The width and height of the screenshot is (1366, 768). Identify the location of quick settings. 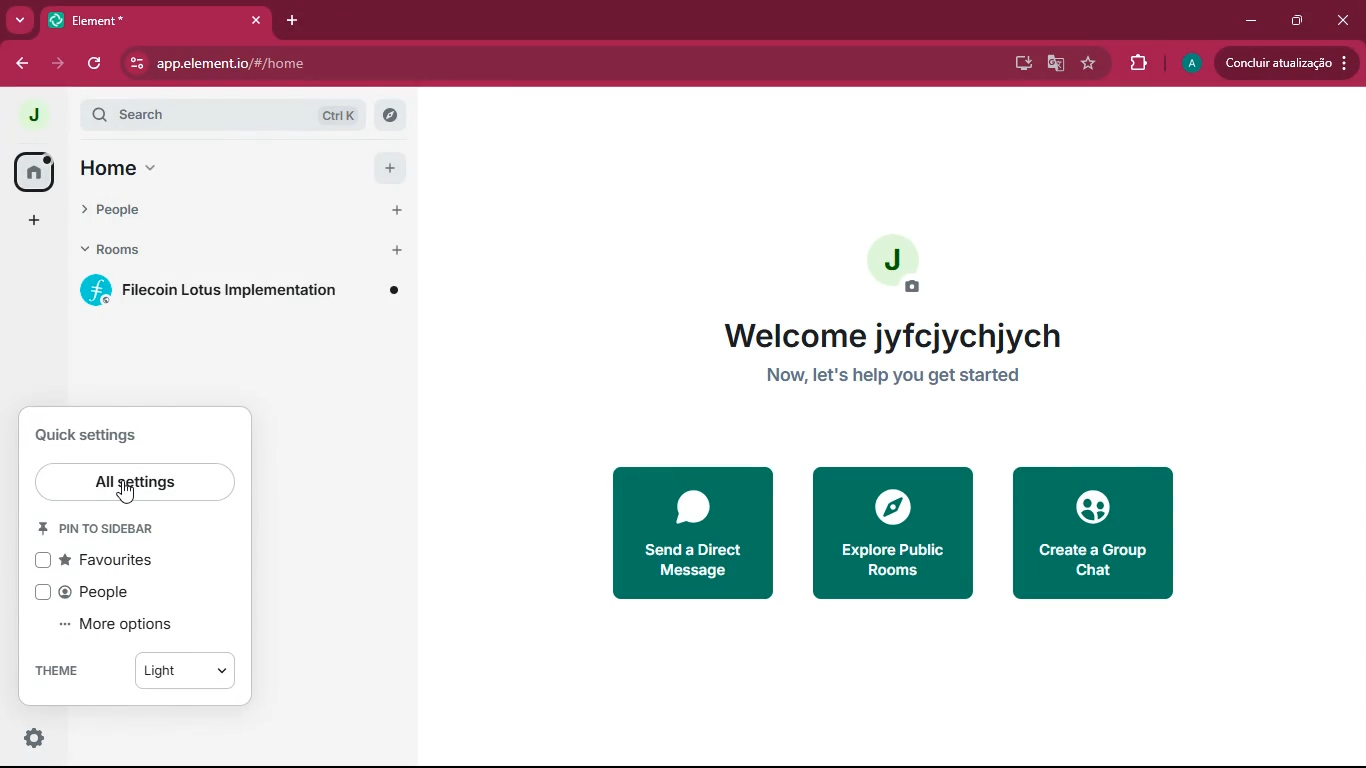
(91, 433).